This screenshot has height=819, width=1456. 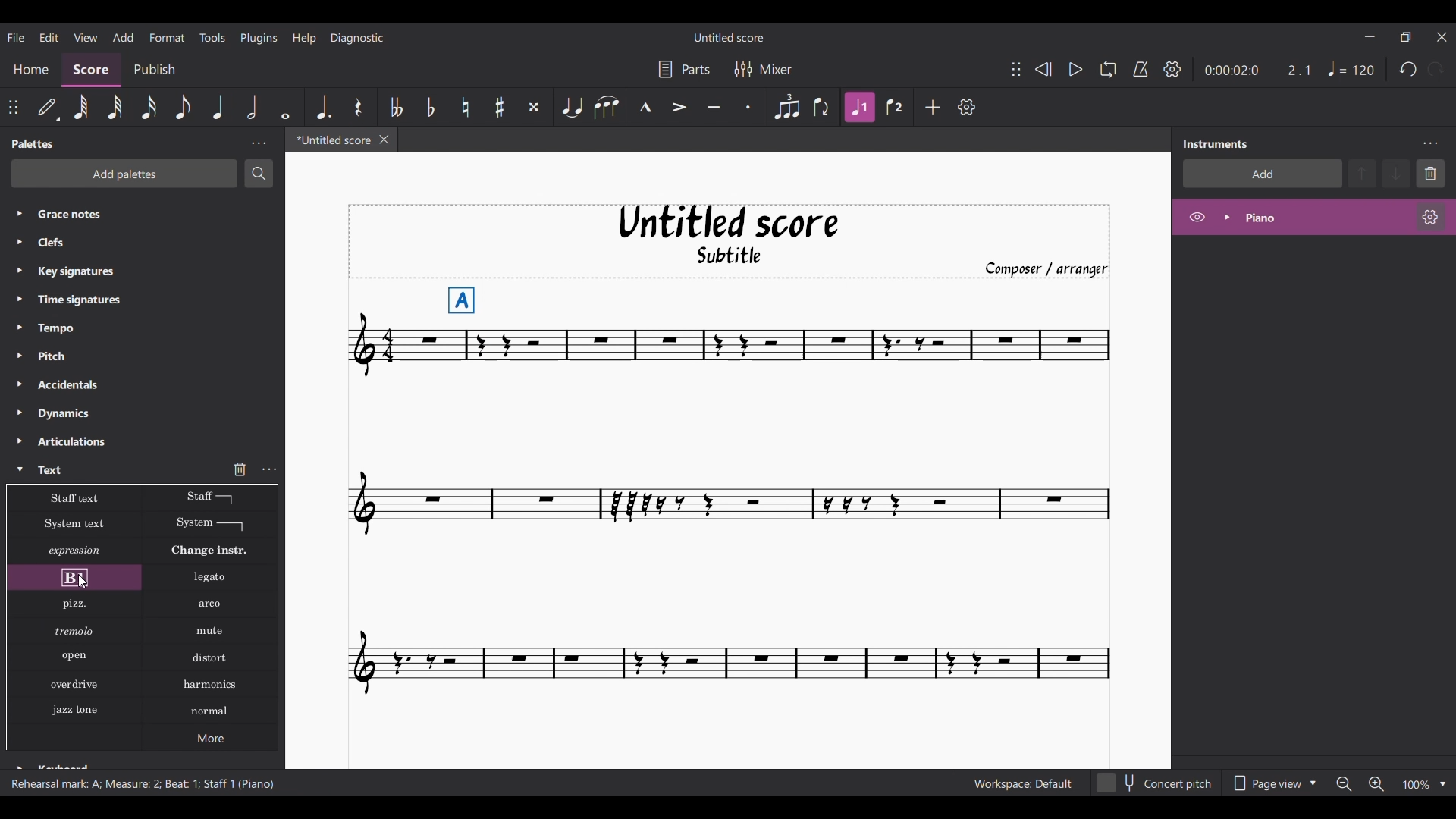 I want to click on Zoom options, so click(x=1443, y=785).